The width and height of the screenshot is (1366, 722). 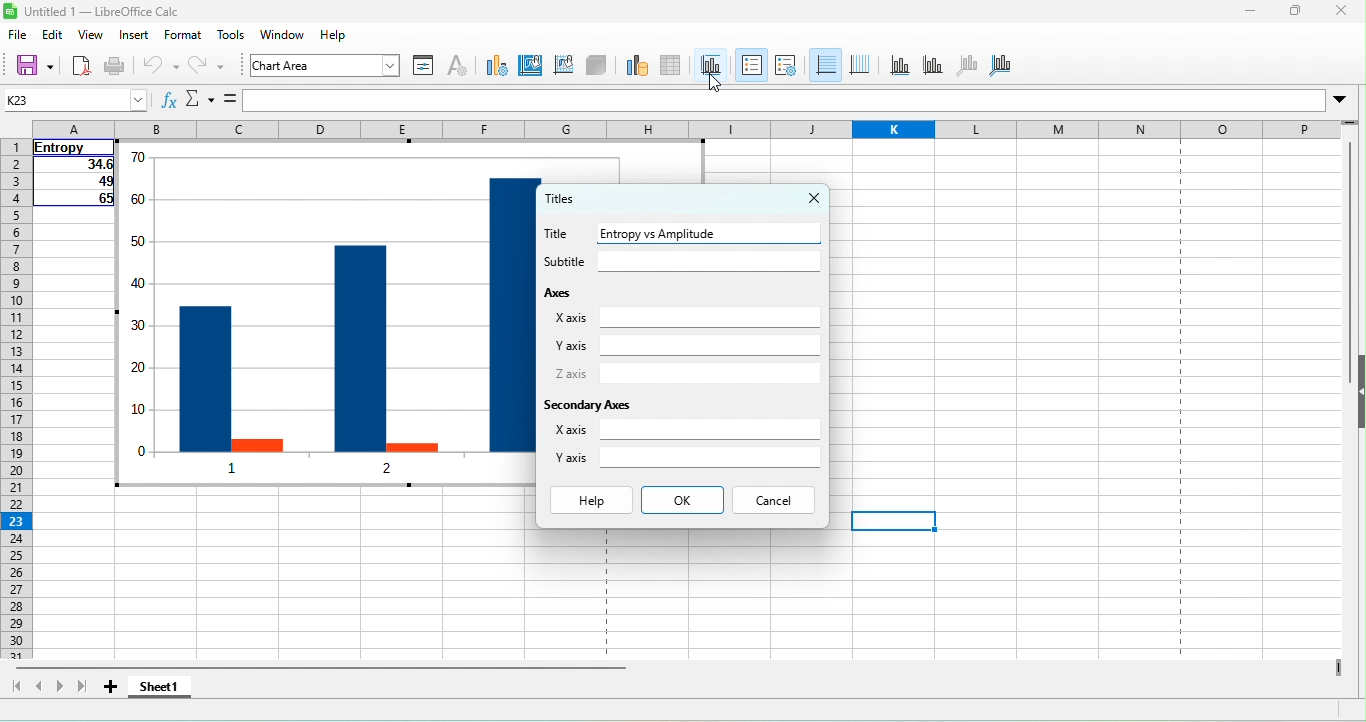 I want to click on cancel, so click(x=776, y=501).